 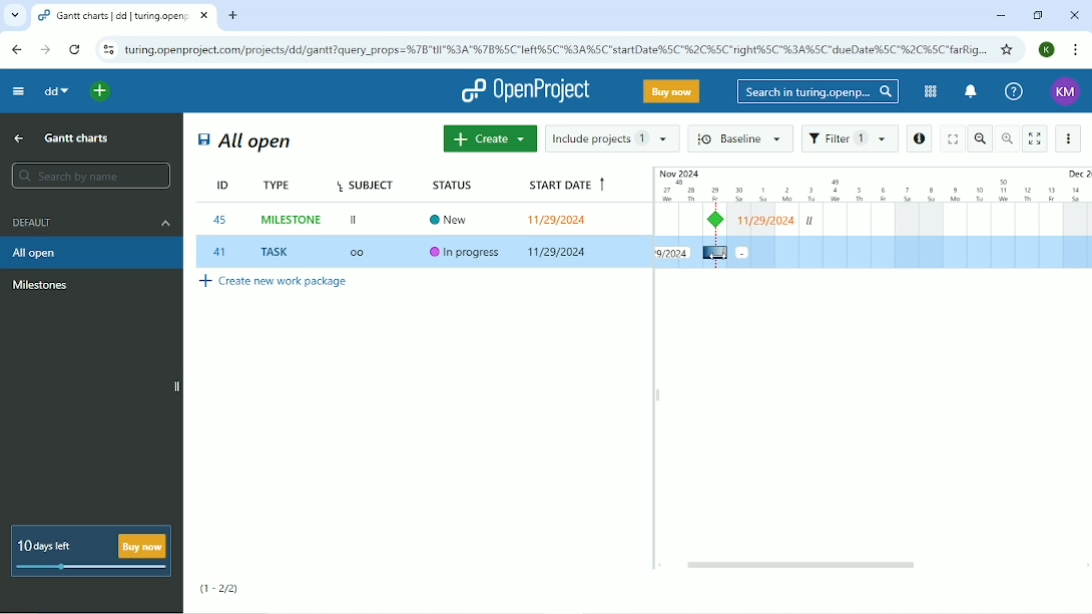 I want to click on Search, so click(x=817, y=92).